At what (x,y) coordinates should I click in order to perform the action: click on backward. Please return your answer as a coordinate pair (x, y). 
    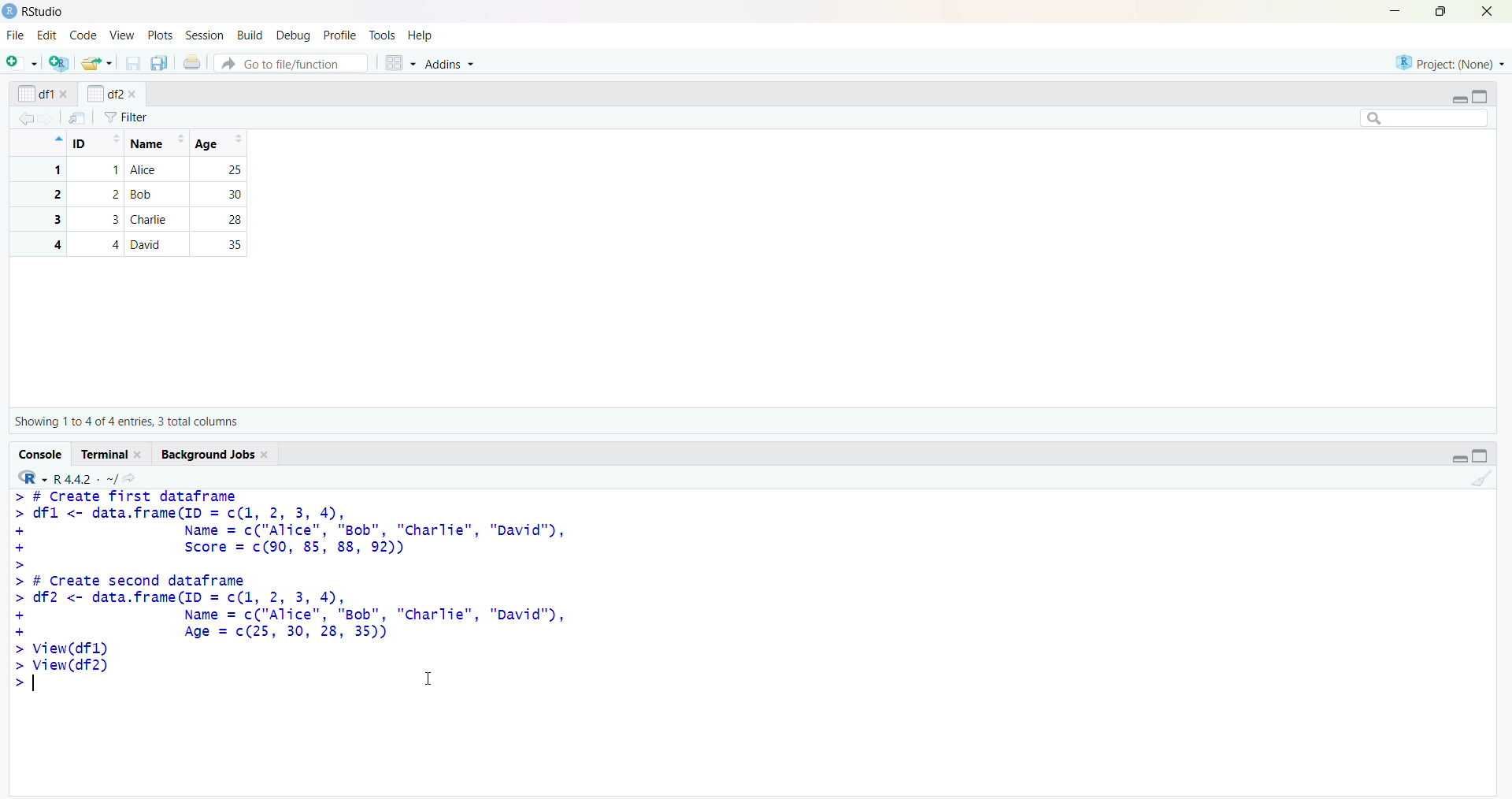
    Looking at the image, I should click on (25, 118).